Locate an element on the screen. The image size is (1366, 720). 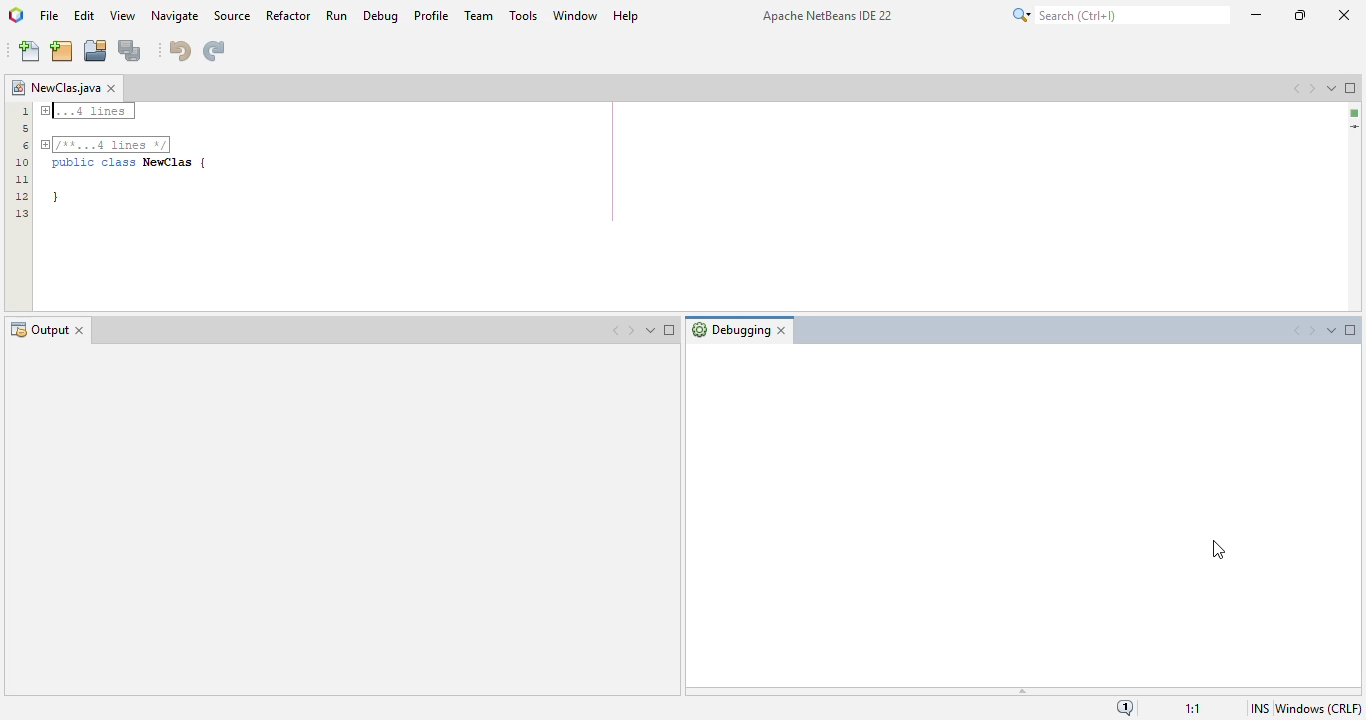
Maximize is located at coordinates (673, 332).